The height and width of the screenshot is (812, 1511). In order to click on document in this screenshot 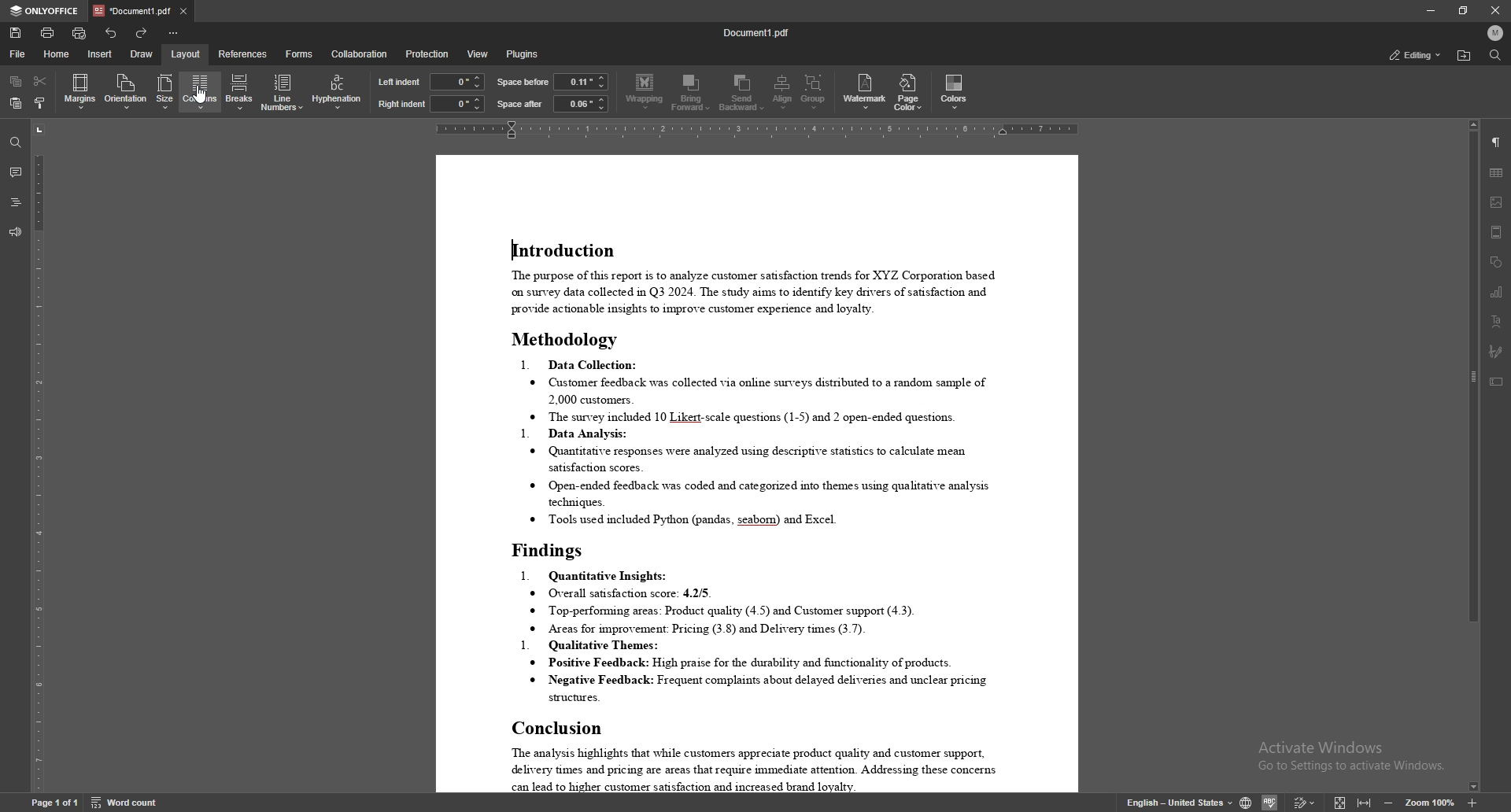, I will do `click(758, 474)`.